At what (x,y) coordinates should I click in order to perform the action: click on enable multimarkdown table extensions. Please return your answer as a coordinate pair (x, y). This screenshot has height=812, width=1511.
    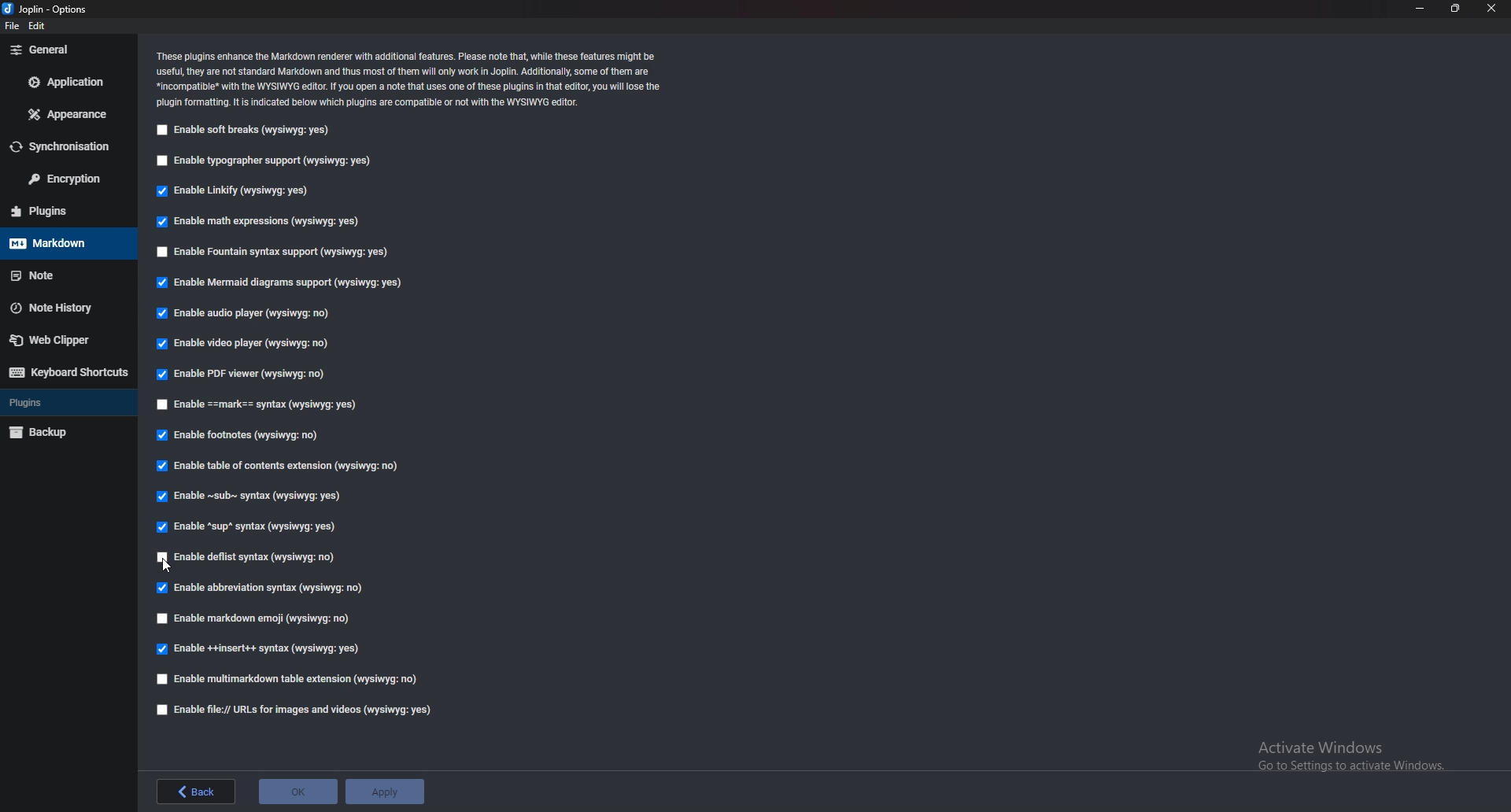
    Looking at the image, I should click on (295, 681).